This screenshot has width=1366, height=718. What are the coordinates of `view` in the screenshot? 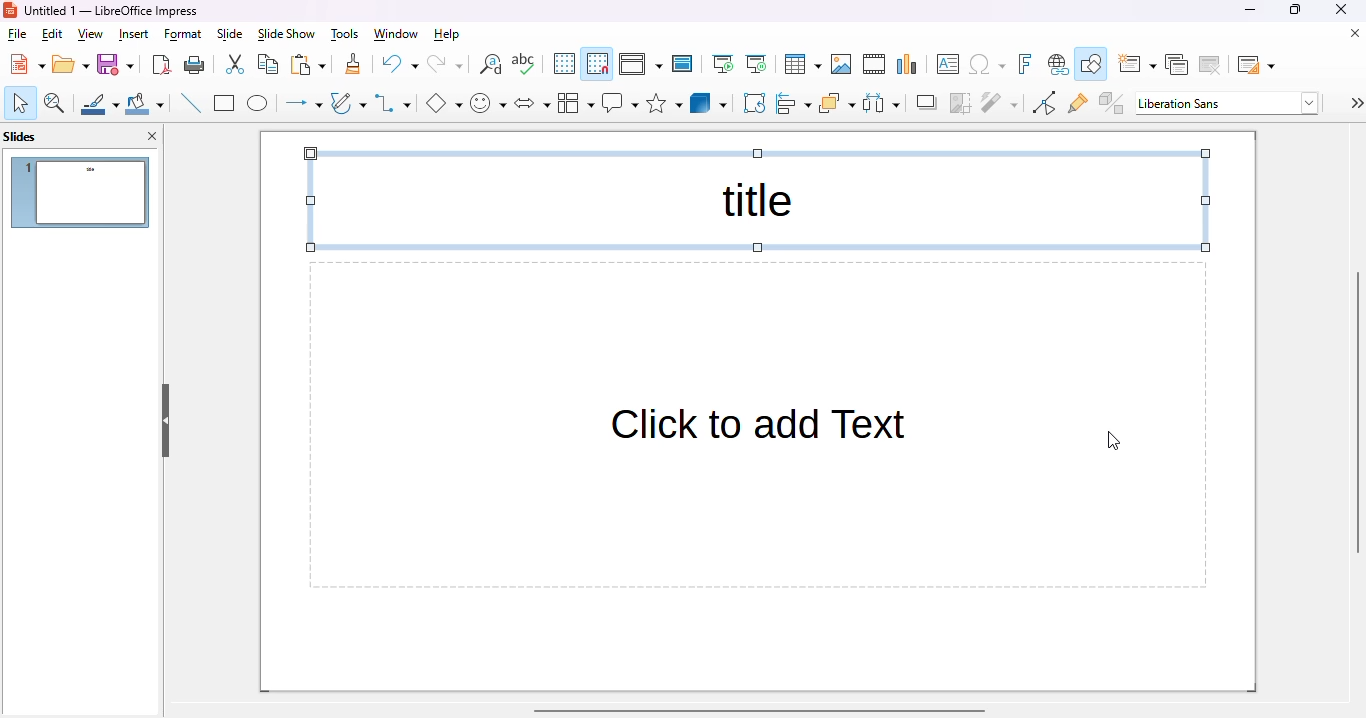 It's located at (90, 35).